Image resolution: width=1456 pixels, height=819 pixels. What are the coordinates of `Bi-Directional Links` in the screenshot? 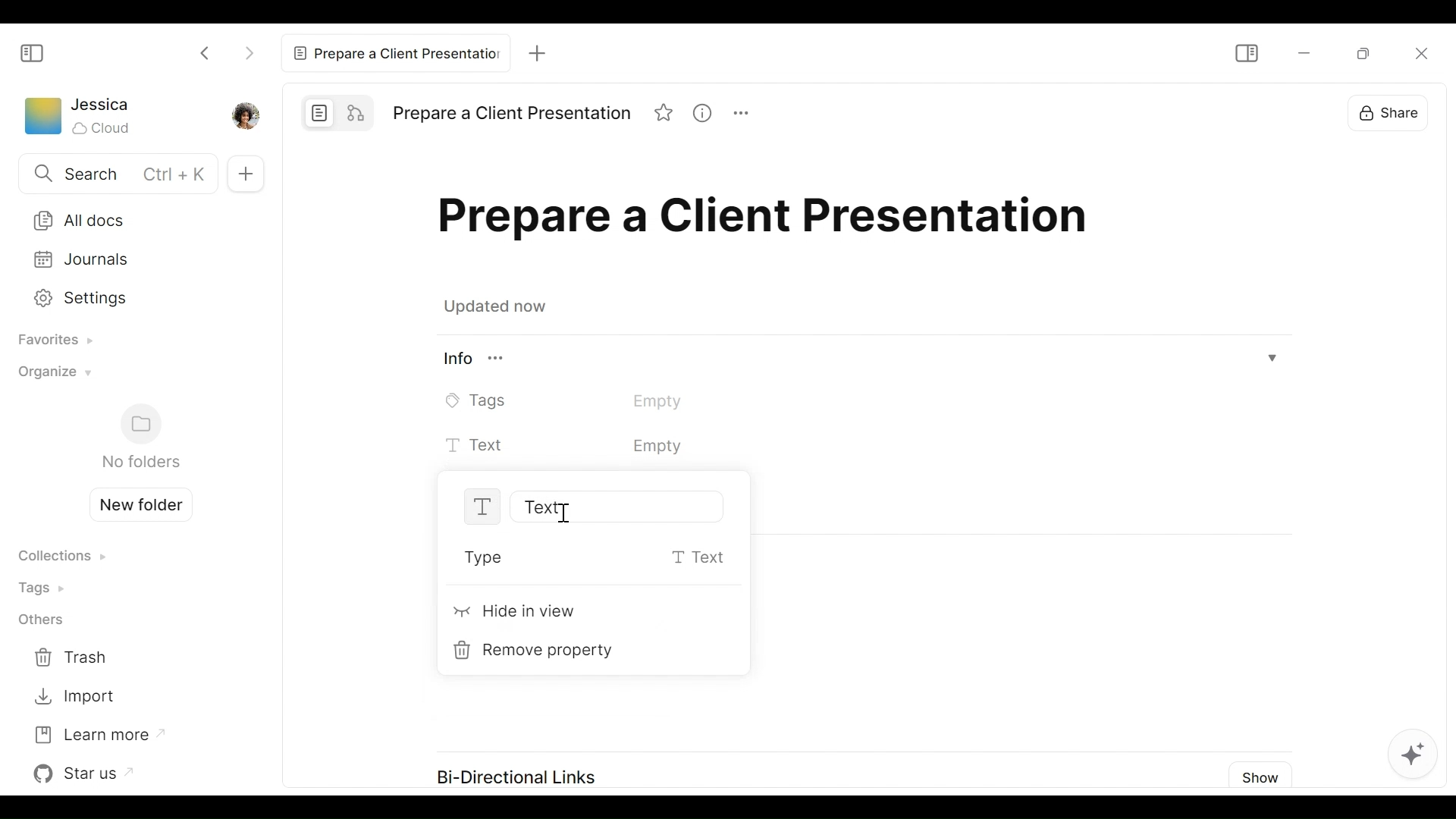 It's located at (519, 778).